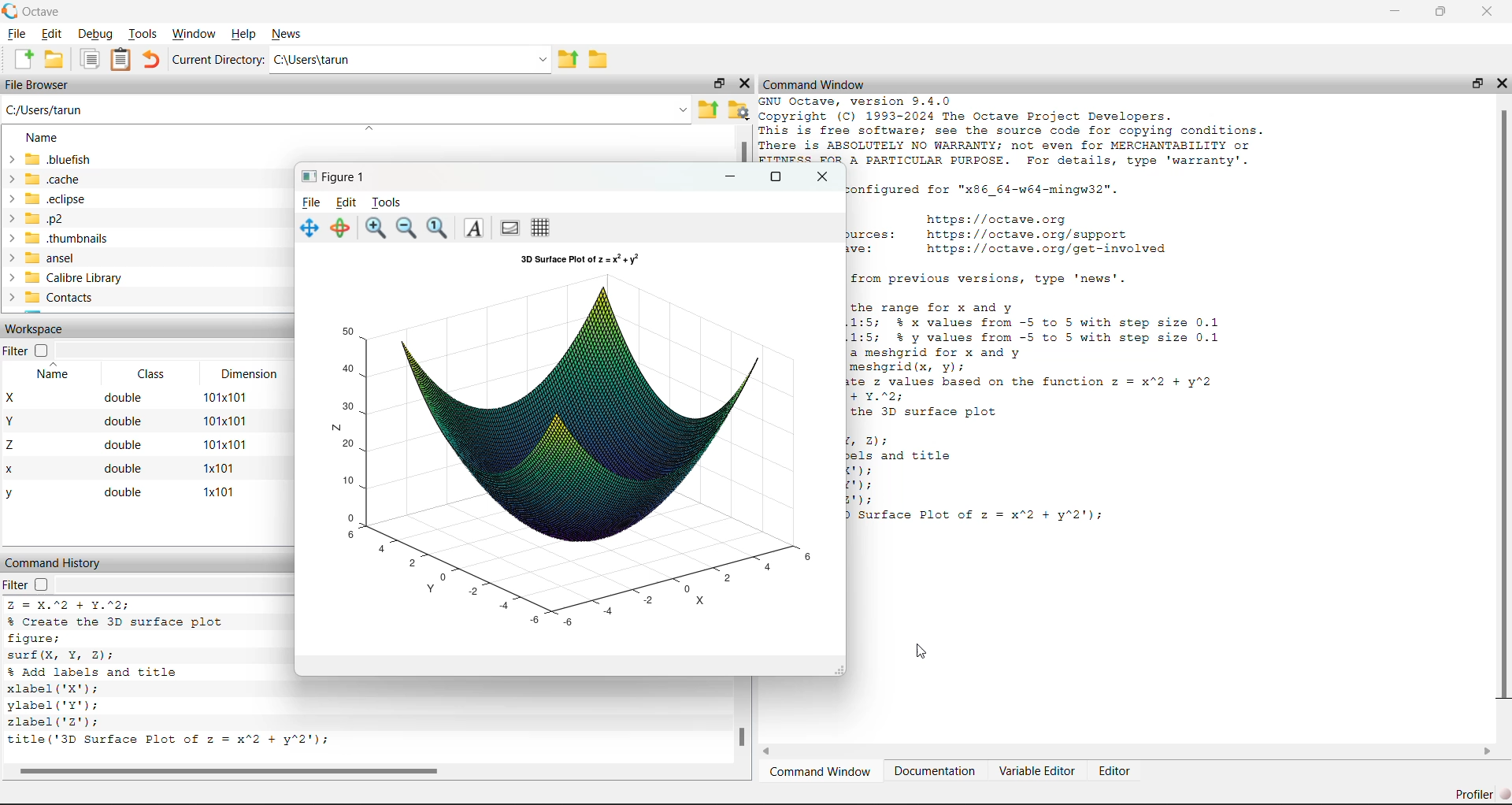 The width and height of the screenshot is (1512, 805). Describe the element at coordinates (744, 726) in the screenshot. I see `Scroll` at that location.